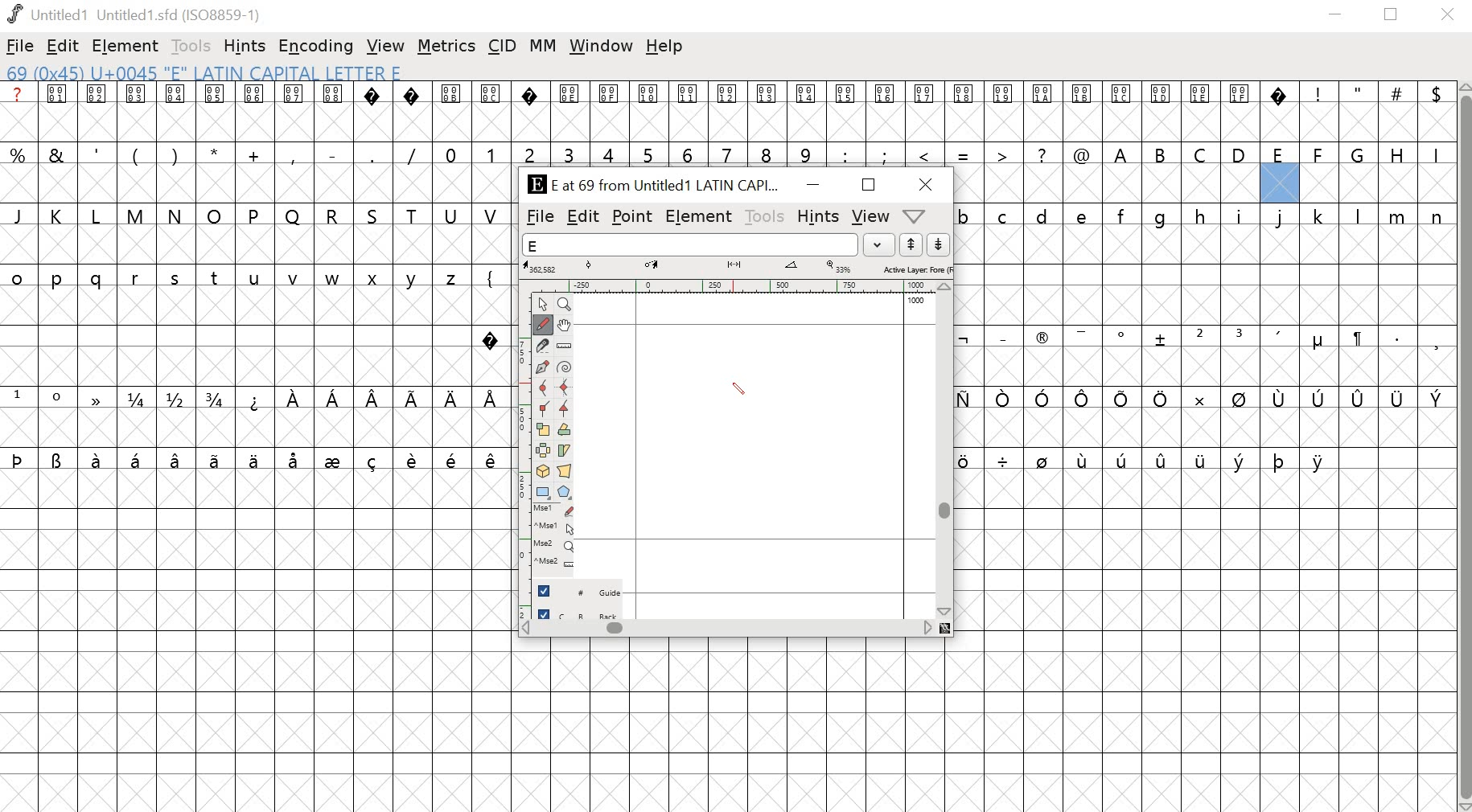 The width and height of the screenshot is (1472, 812). I want to click on ruler, so click(731, 285).